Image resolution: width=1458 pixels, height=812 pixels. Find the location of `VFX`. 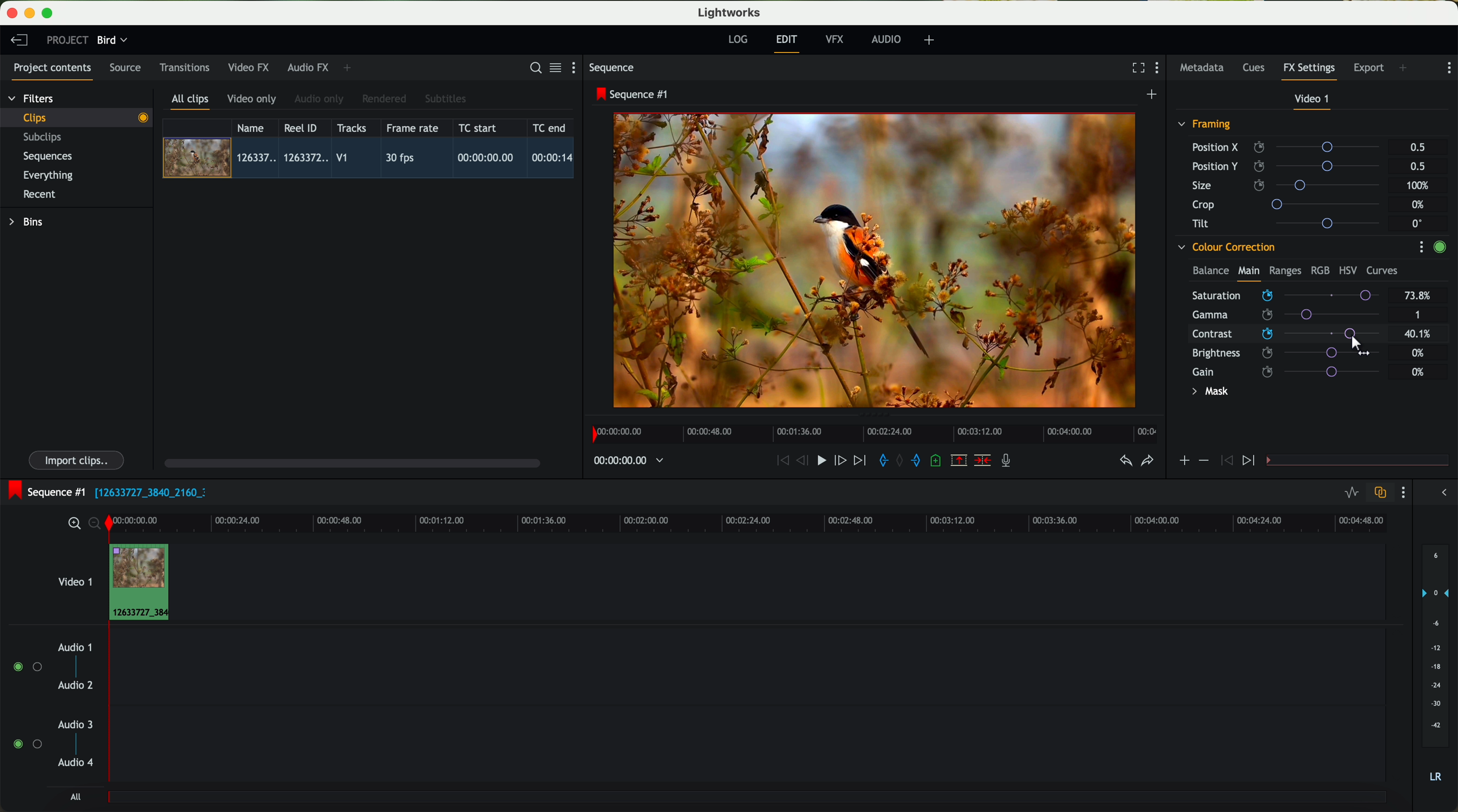

VFX is located at coordinates (837, 40).